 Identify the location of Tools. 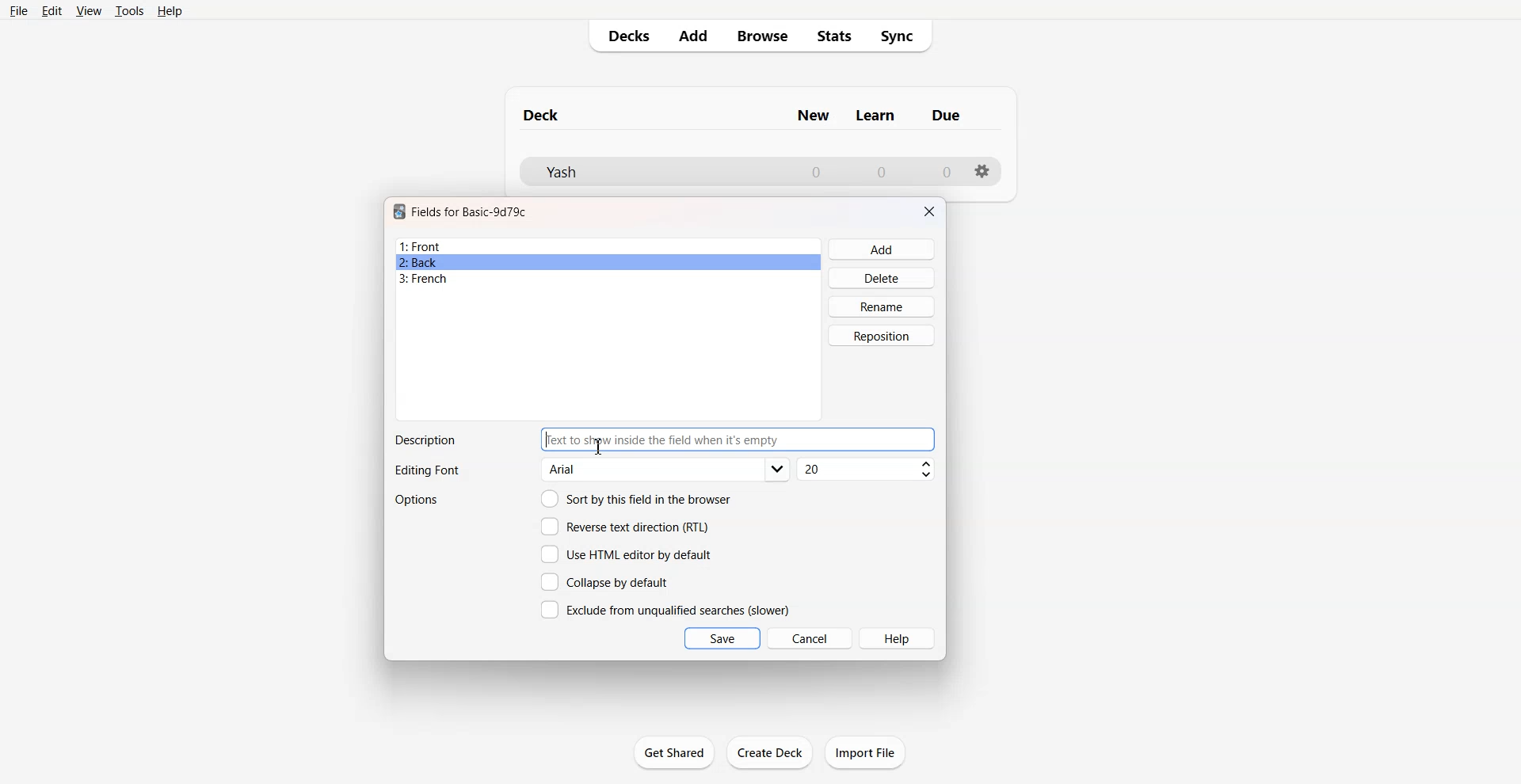
(129, 10).